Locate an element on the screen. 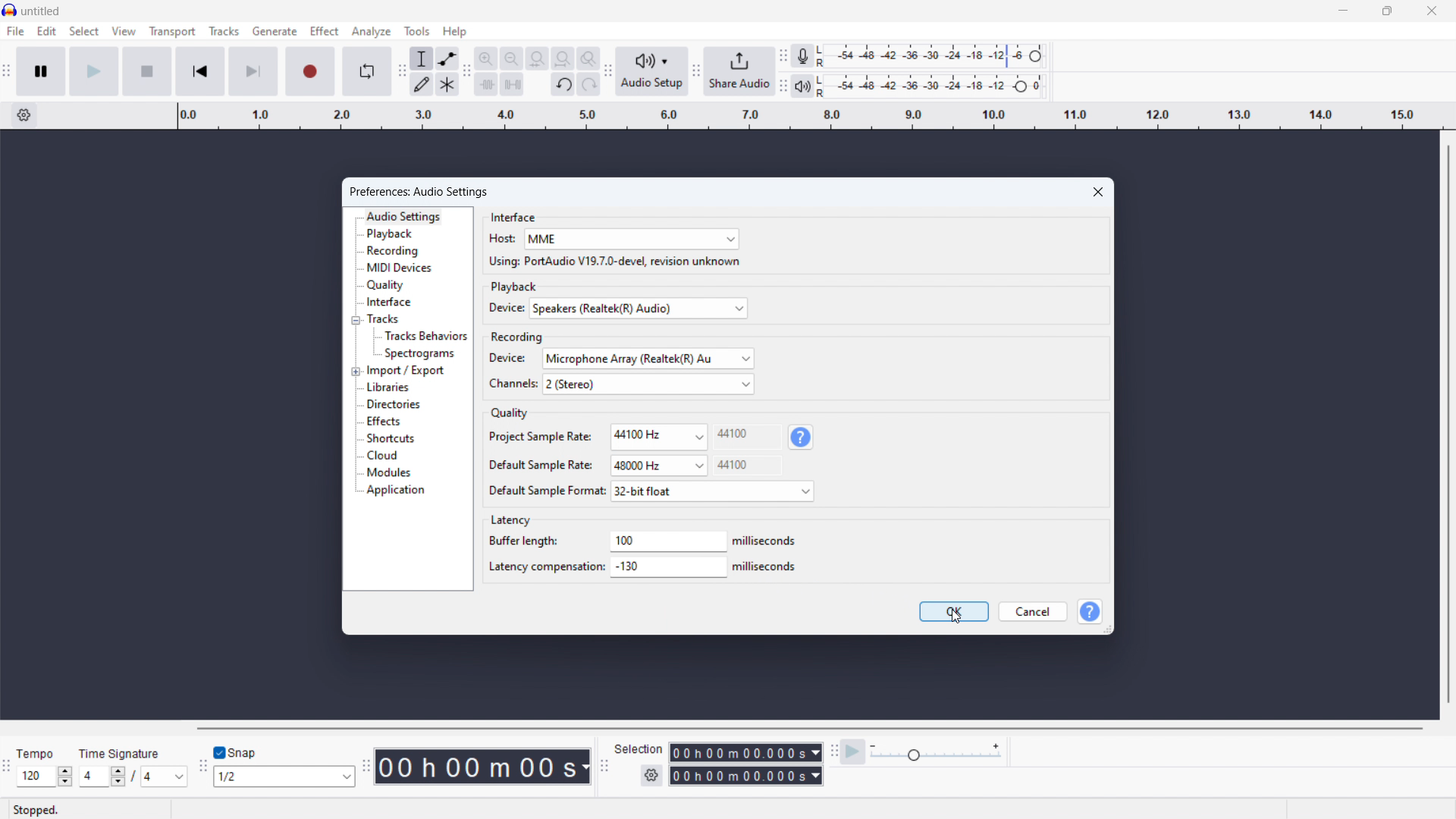 This screenshot has width=1456, height=819. undo is located at coordinates (563, 85).